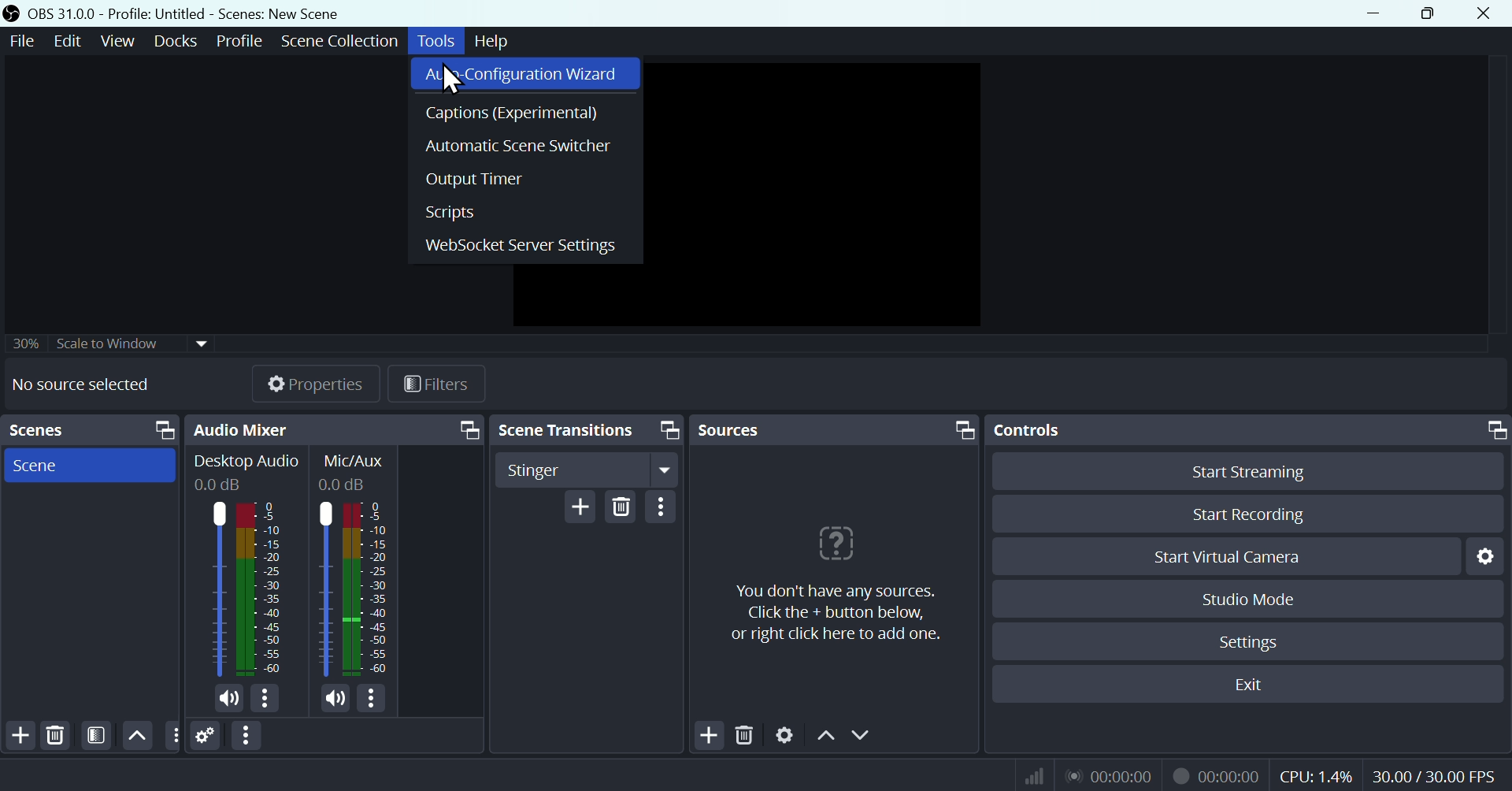 The image size is (1512, 791). What do you see at coordinates (1247, 640) in the screenshot?
I see `Settings` at bounding box center [1247, 640].